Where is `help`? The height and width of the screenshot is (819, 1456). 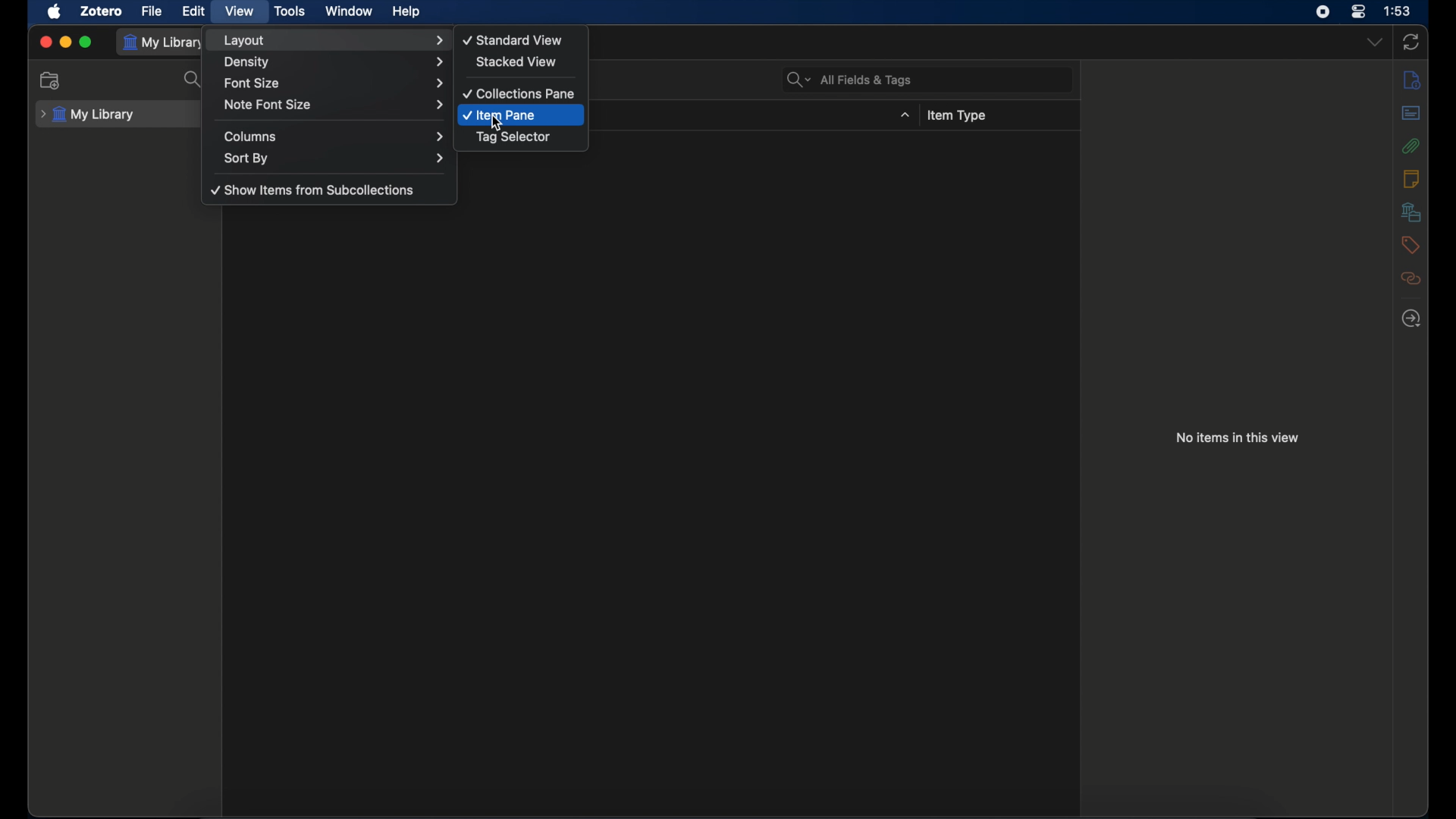
help is located at coordinates (406, 12).